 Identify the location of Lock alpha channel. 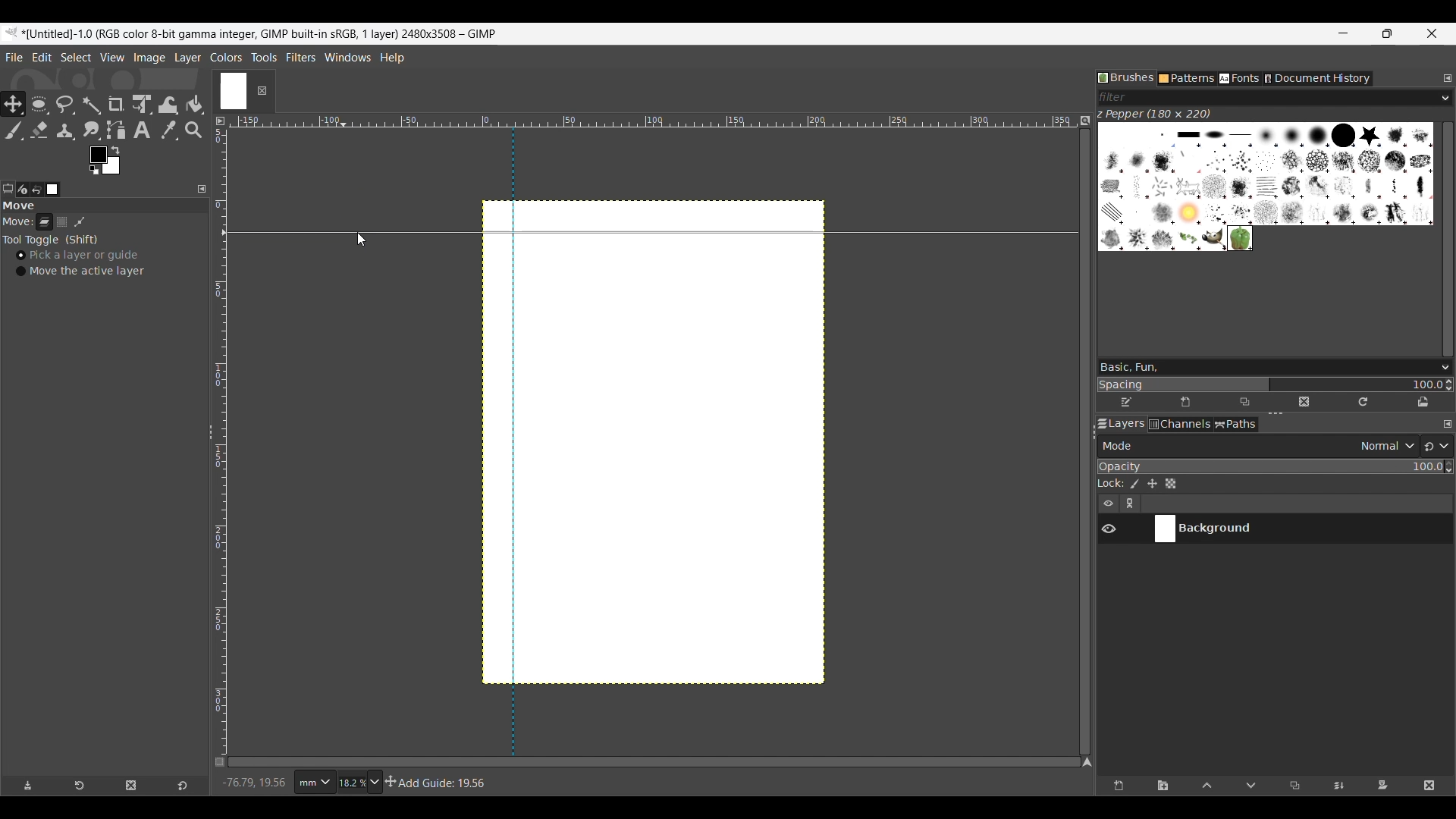
(1170, 484).